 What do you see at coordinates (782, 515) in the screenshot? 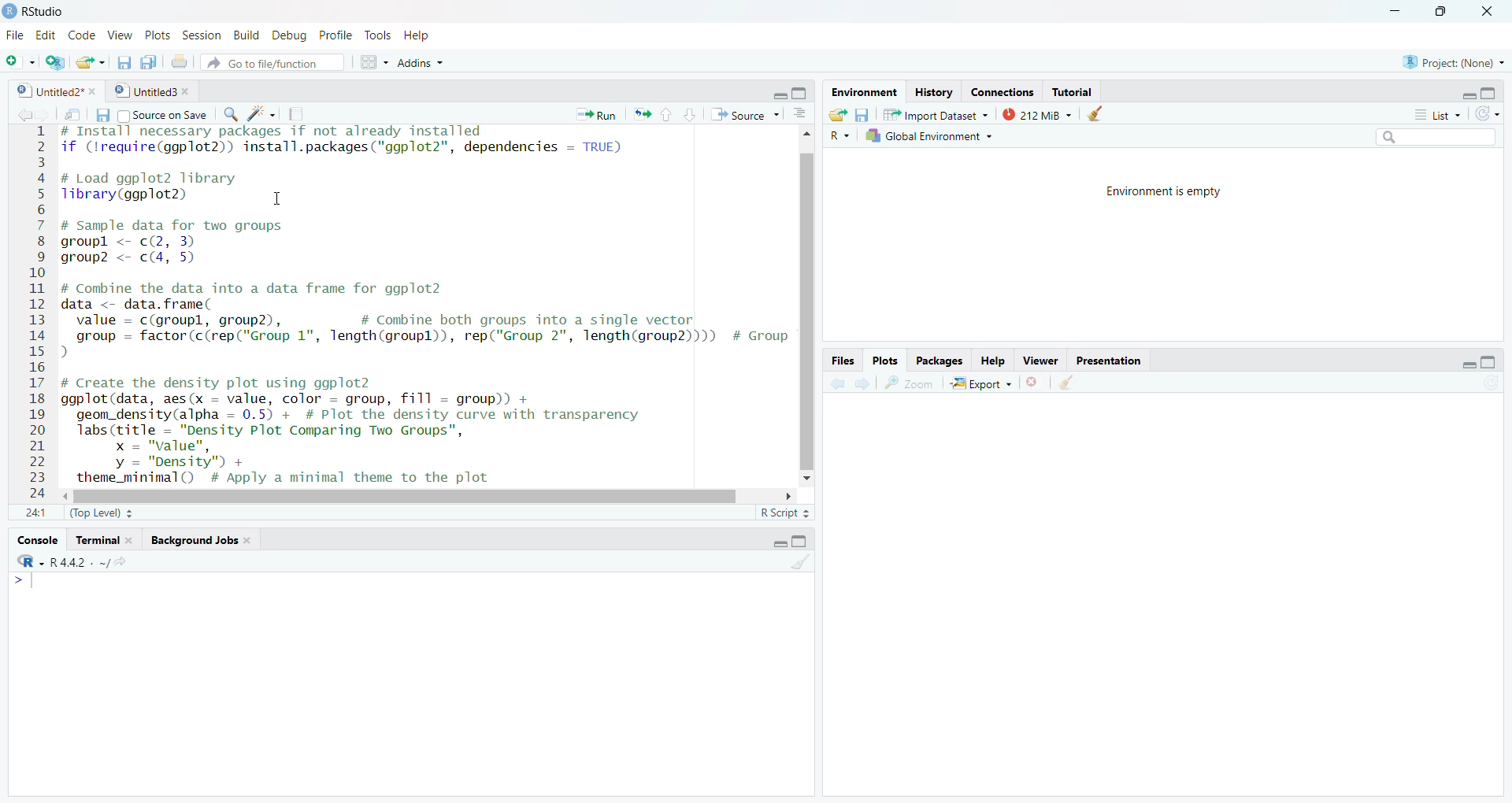
I see `R SCRIPT` at bounding box center [782, 515].